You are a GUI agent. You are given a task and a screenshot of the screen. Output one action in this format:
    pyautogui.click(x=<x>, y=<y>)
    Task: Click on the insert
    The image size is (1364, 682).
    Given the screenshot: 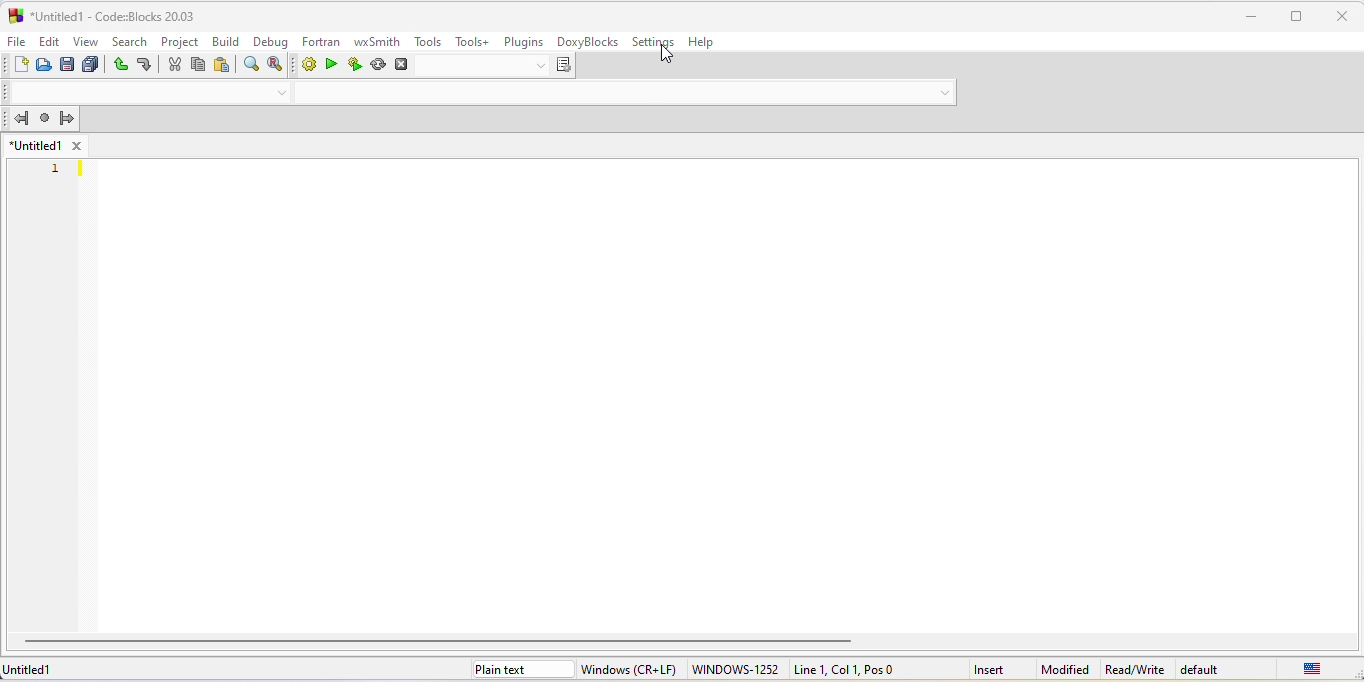 What is the action you would take?
    pyautogui.click(x=989, y=670)
    